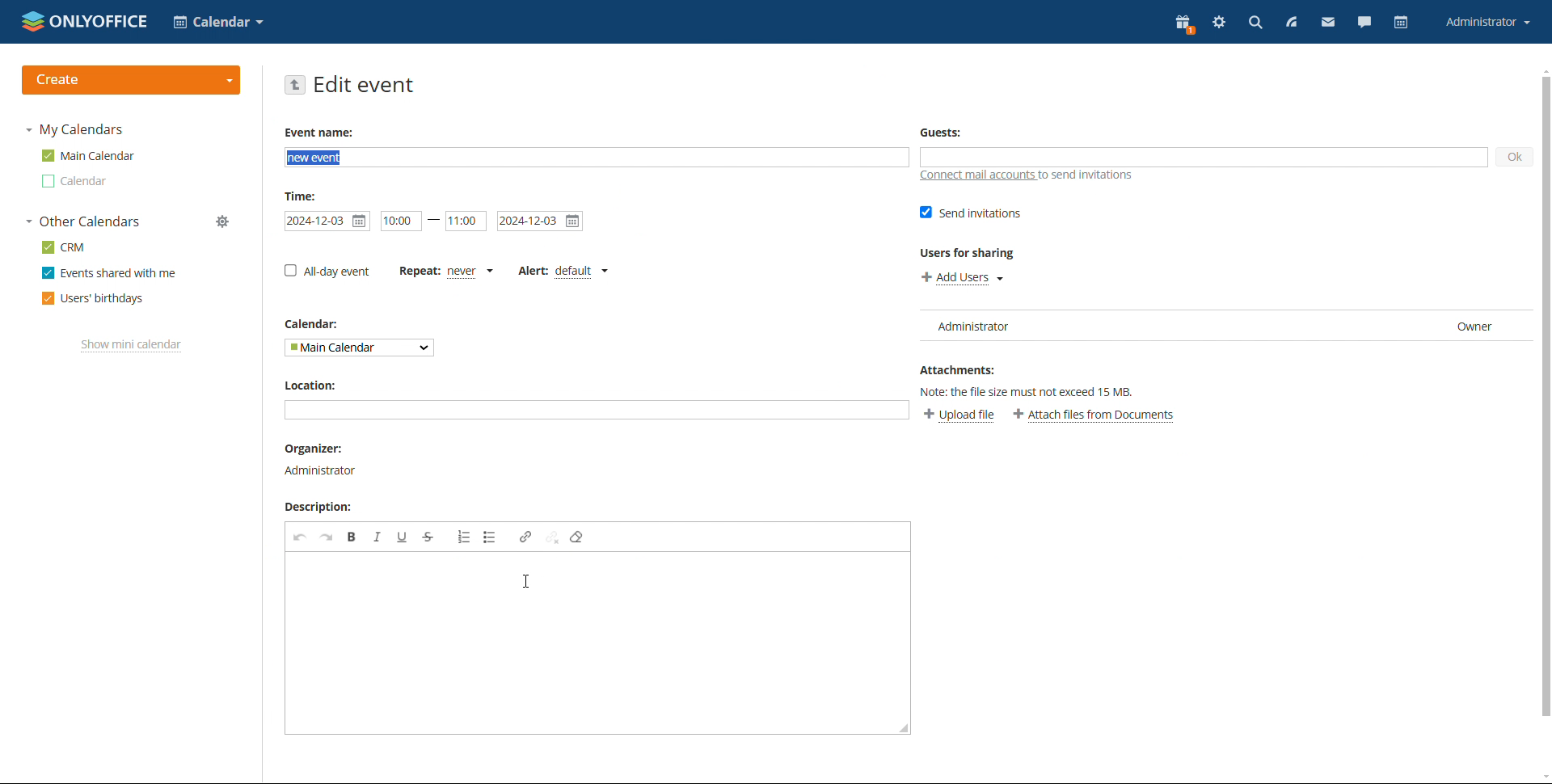 The height and width of the screenshot is (784, 1552). What do you see at coordinates (85, 20) in the screenshot?
I see `logo` at bounding box center [85, 20].